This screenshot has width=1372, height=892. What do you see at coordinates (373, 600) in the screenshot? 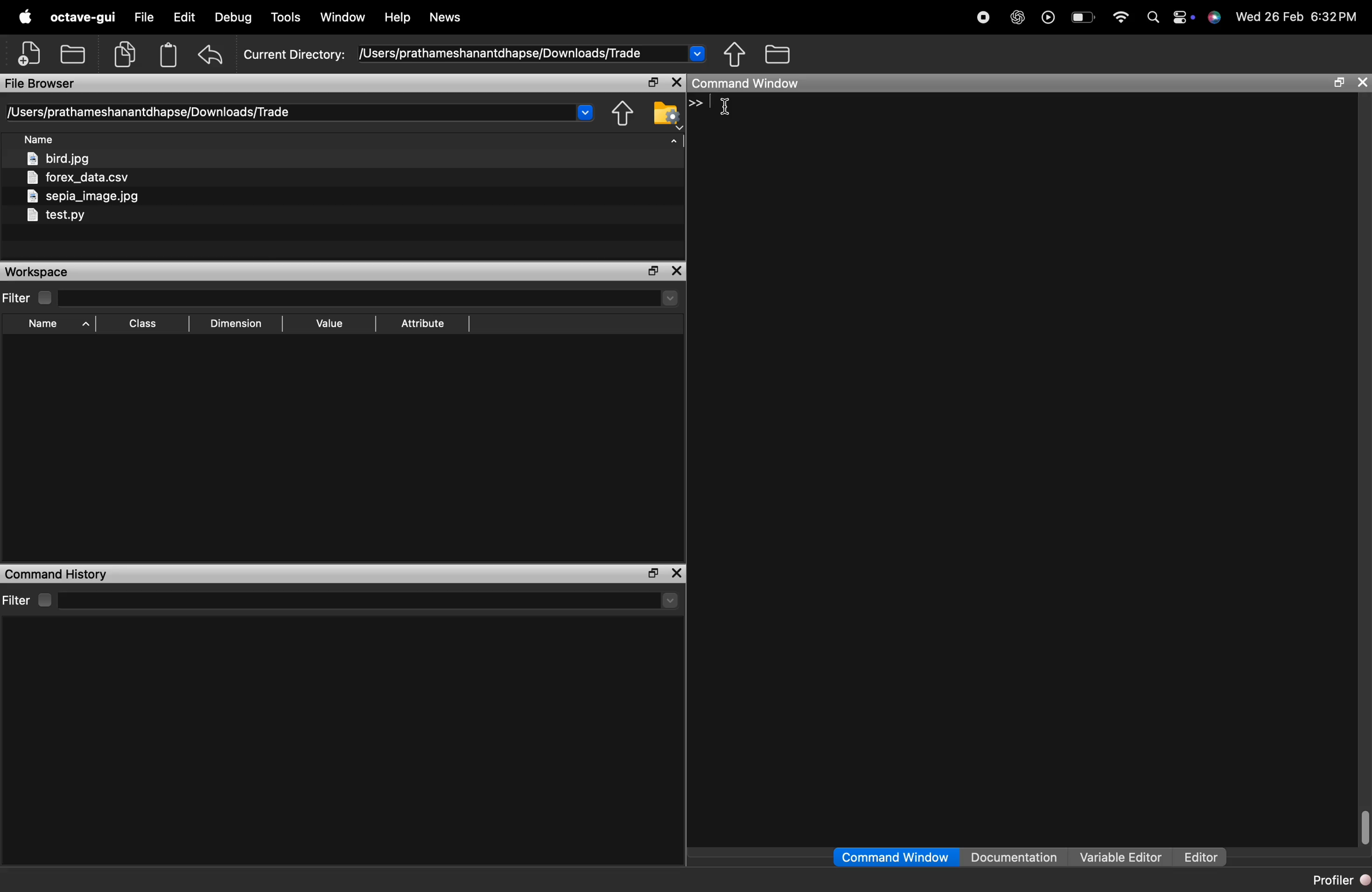
I see `select directory` at bounding box center [373, 600].